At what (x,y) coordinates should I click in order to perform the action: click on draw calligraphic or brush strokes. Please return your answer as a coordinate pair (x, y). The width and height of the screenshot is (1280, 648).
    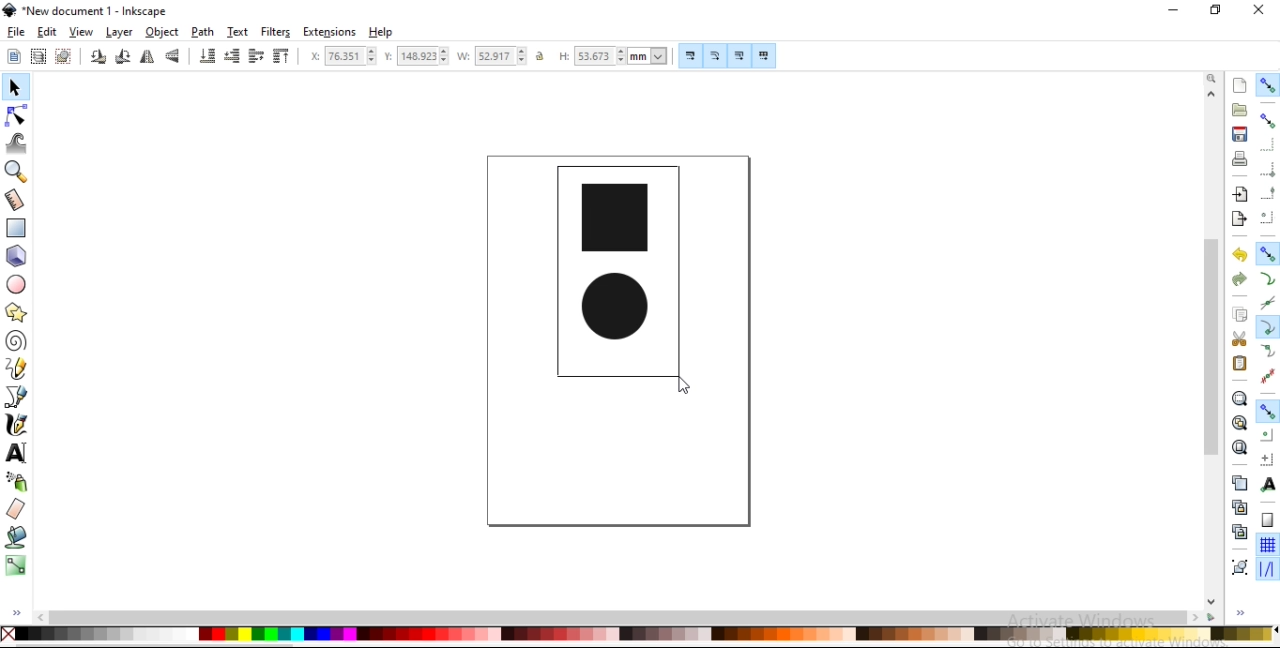
    Looking at the image, I should click on (18, 423).